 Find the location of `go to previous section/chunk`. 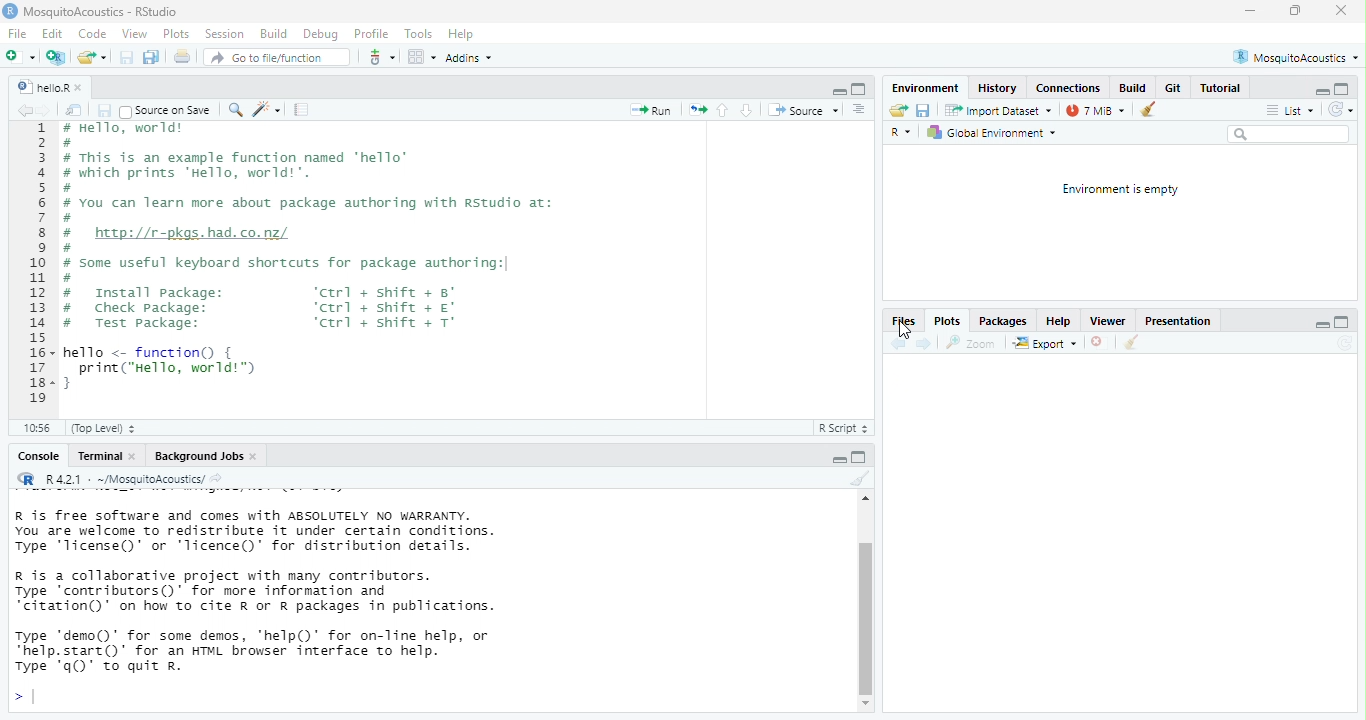

go to previous section/chunk is located at coordinates (724, 112).